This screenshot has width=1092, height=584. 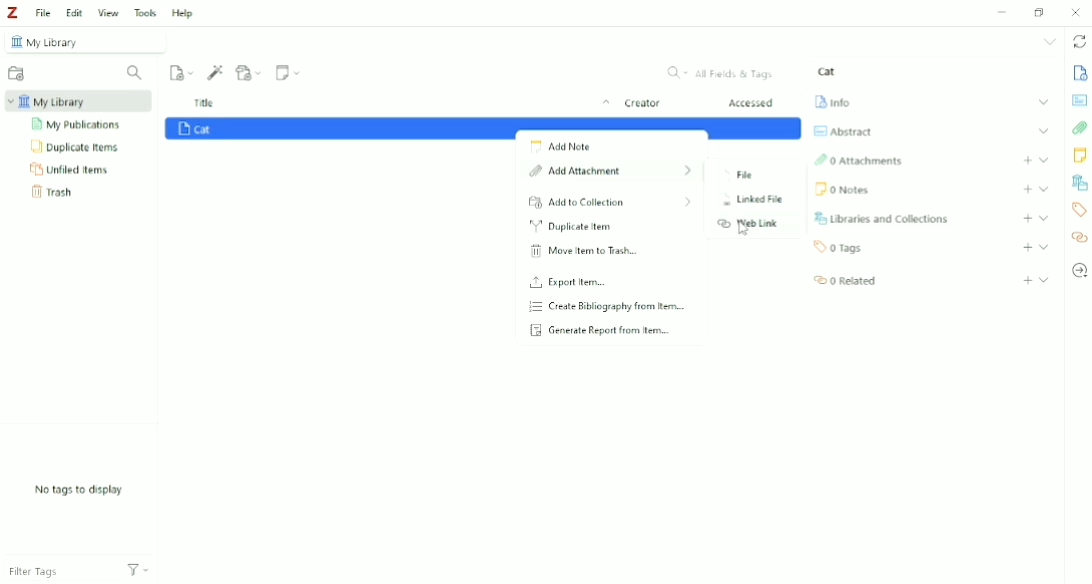 What do you see at coordinates (843, 279) in the screenshot?
I see `Related` at bounding box center [843, 279].